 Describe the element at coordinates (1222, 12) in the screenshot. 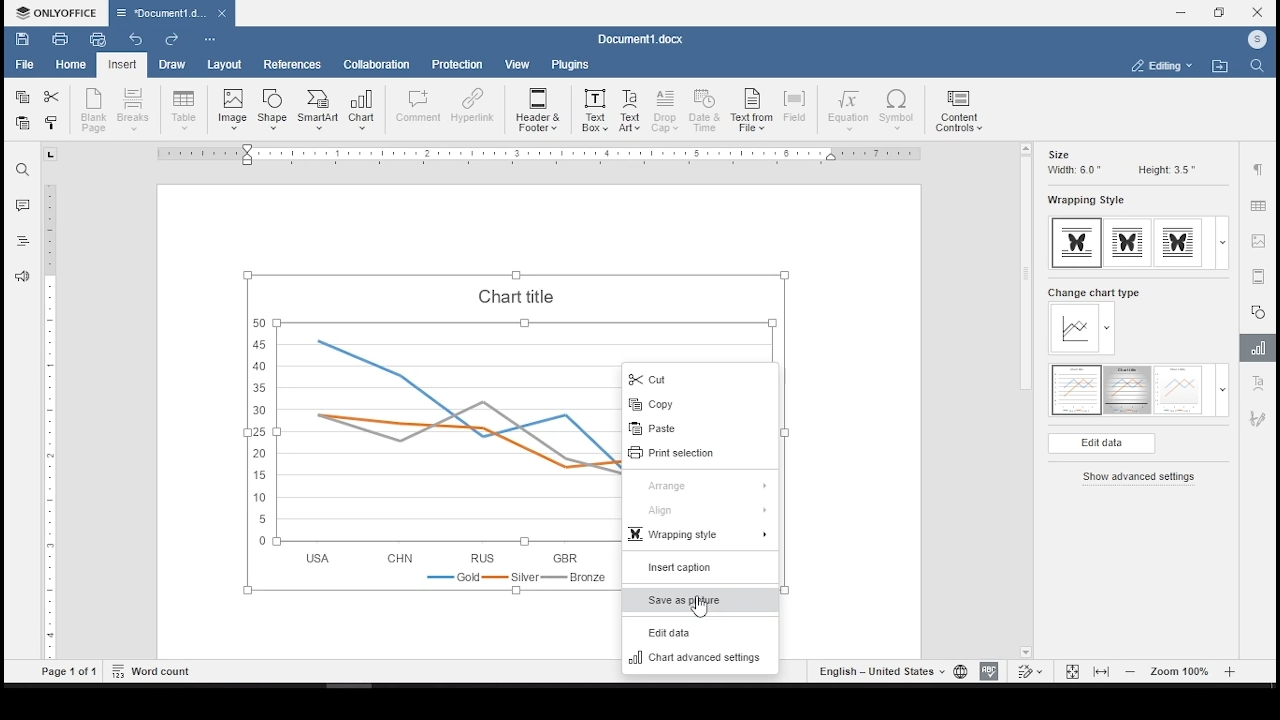

I see `restore` at that location.